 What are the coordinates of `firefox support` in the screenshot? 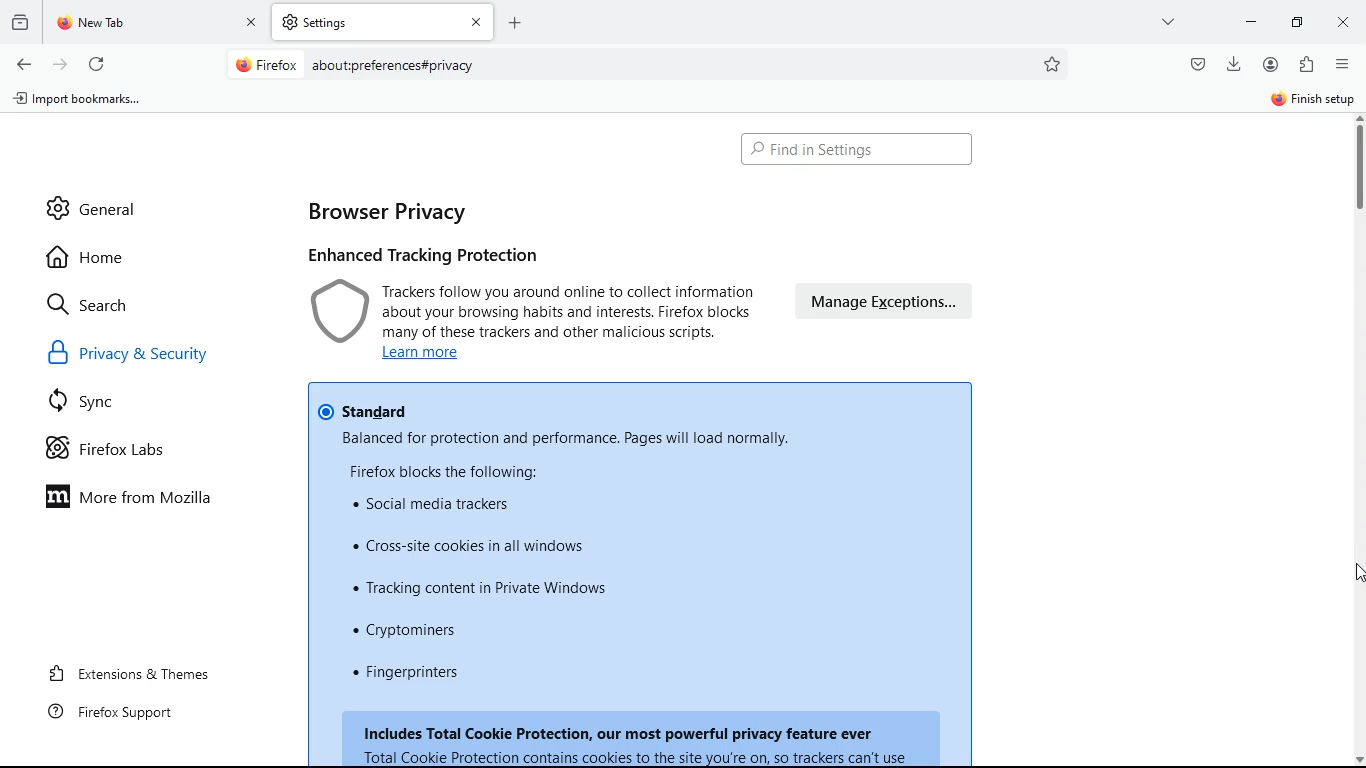 It's located at (124, 711).